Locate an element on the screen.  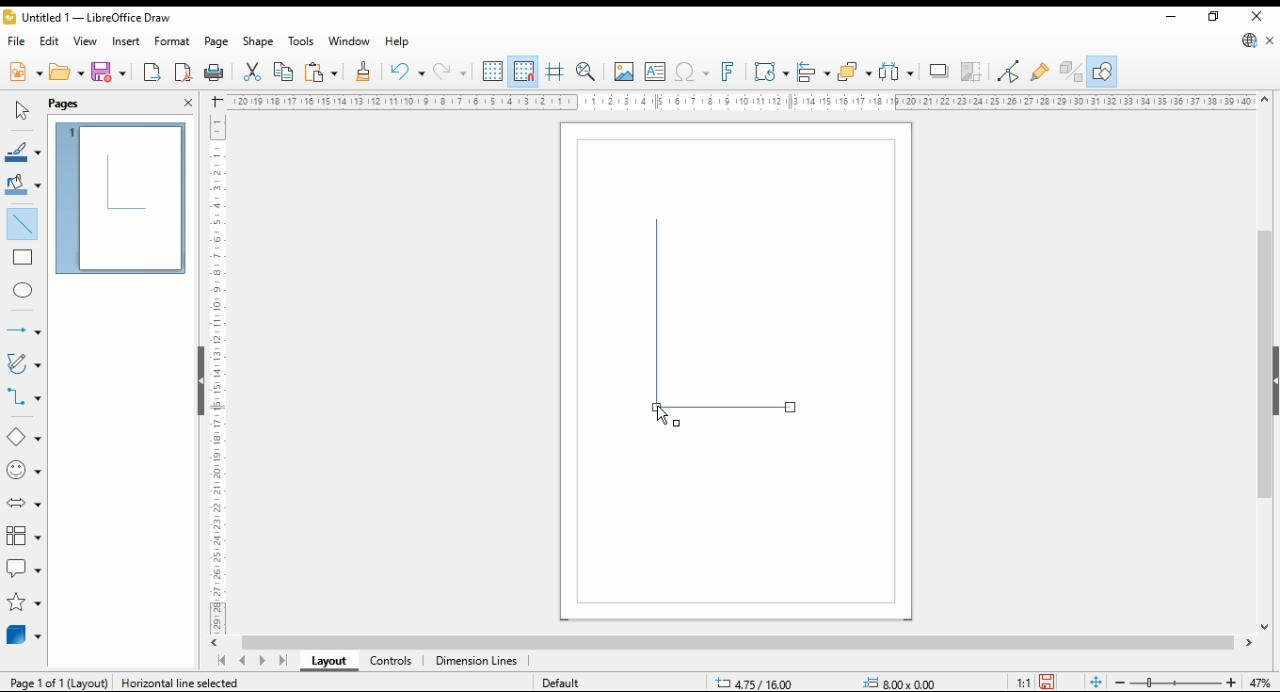
increase zoom is located at coordinates (1235, 683).